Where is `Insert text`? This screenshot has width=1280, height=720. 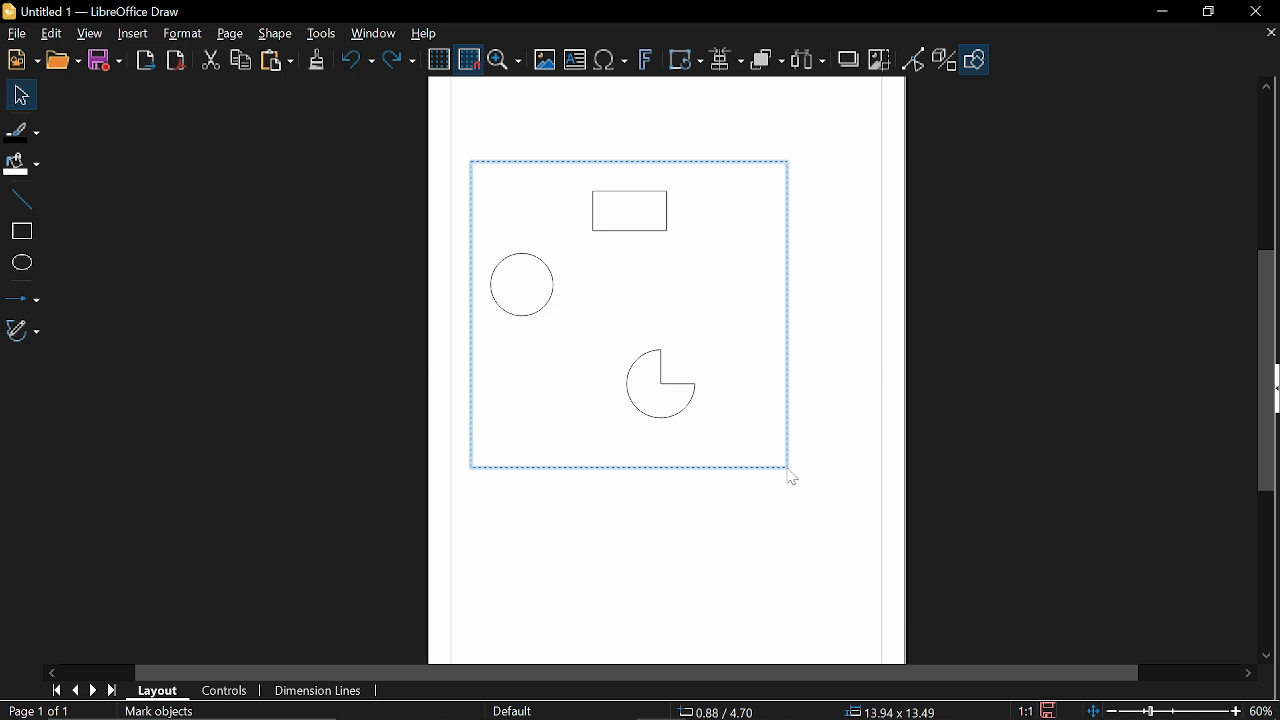
Insert text is located at coordinates (574, 60).